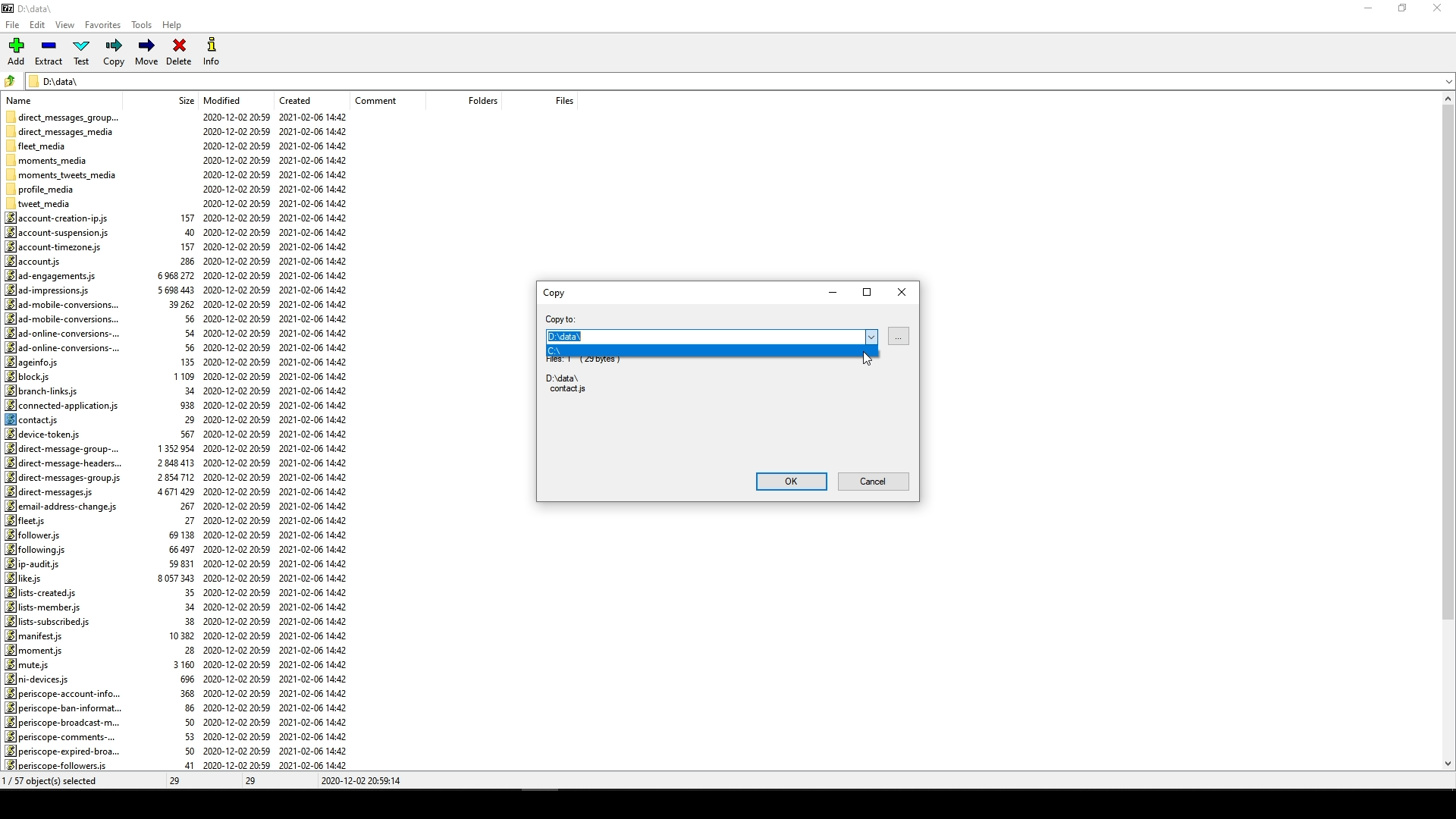 This screenshot has width=1456, height=819. I want to click on Test, so click(83, 52).